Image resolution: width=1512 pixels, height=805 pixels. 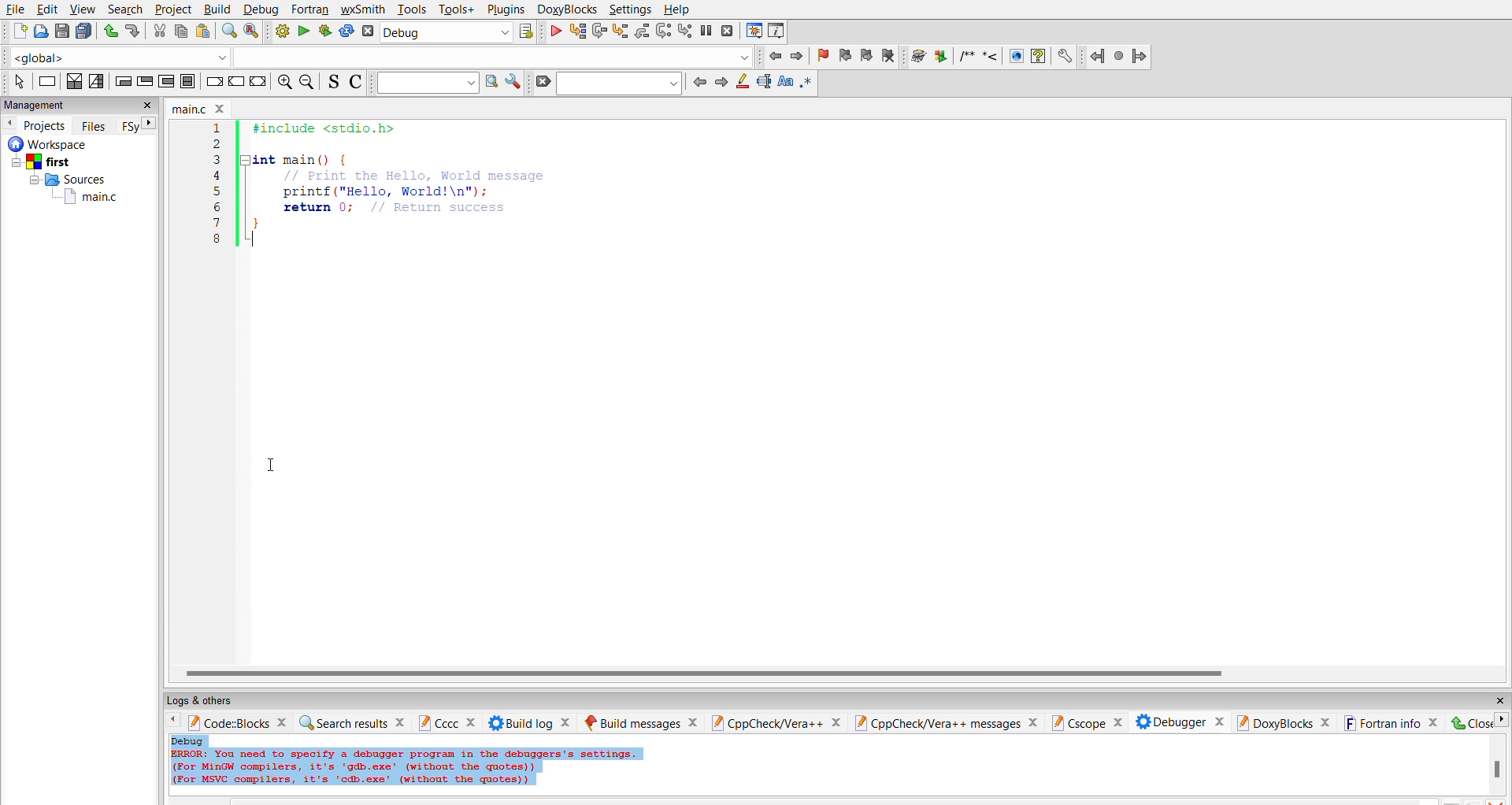 I want to click on tools, so click(x=410, y=10).